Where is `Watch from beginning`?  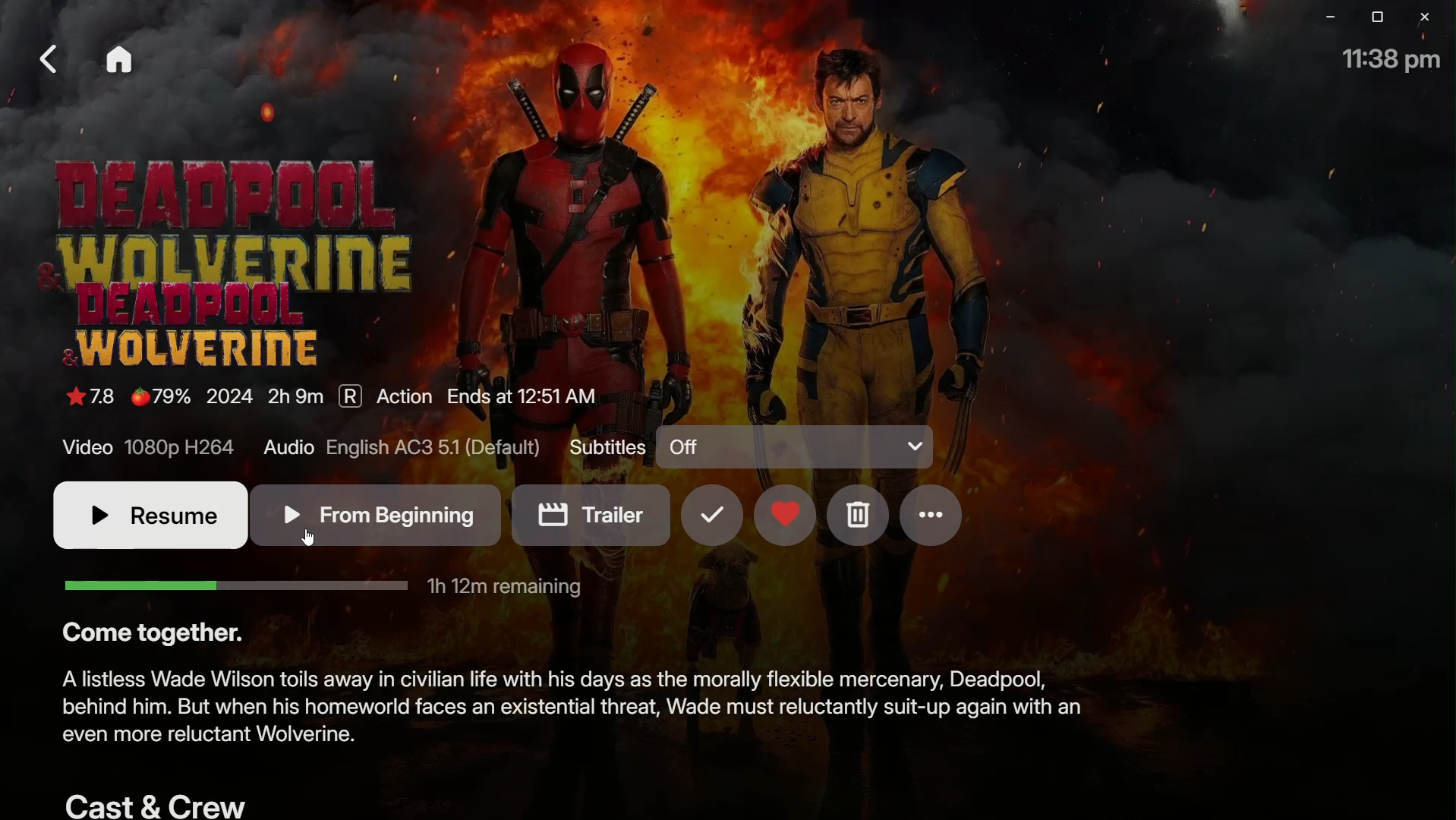 Watch from beginning is located at coordinates (378, 516).